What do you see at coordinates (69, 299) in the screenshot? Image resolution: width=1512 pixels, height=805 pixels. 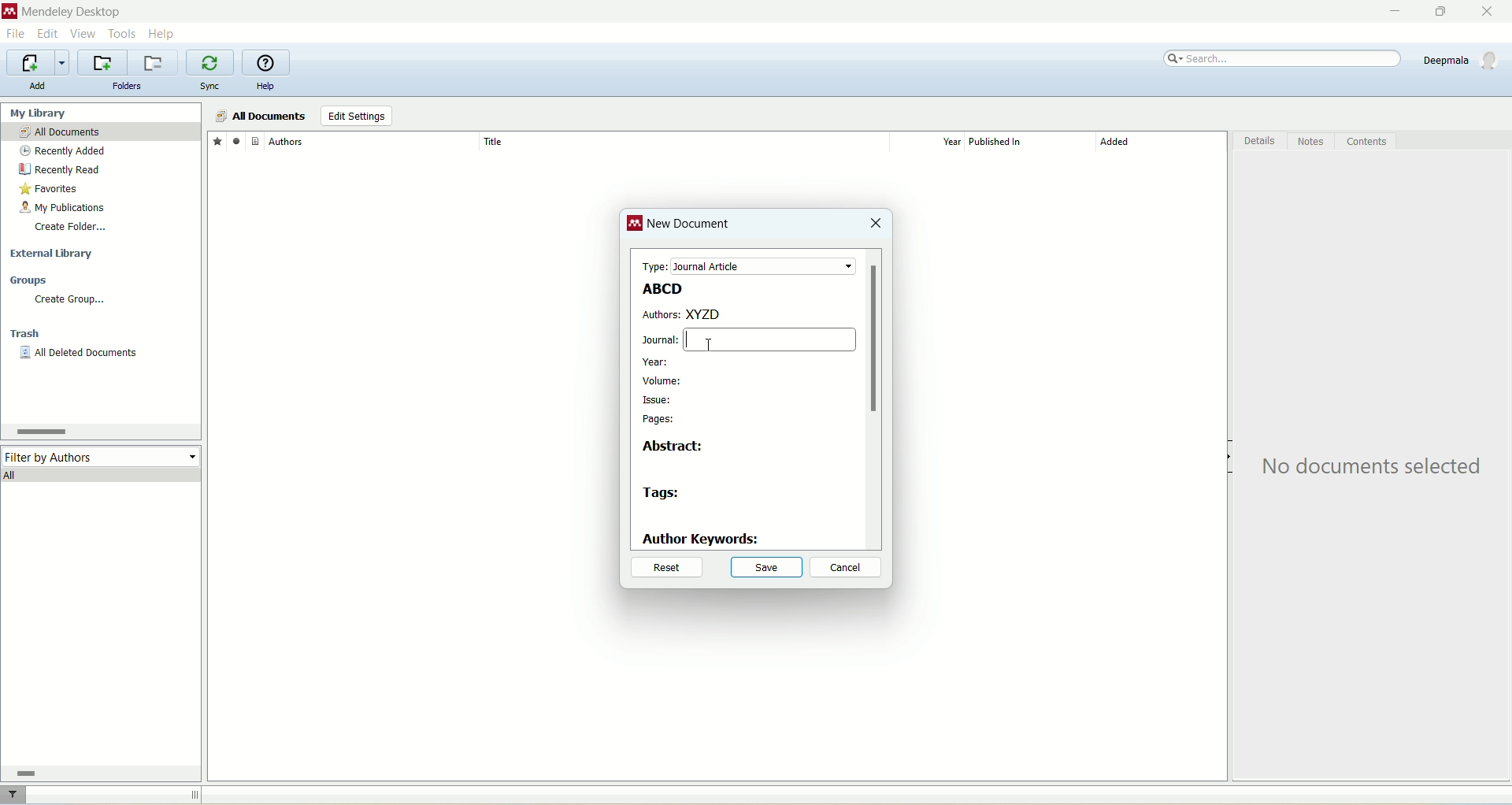 I see `create group` at bounding box center [69, 299].